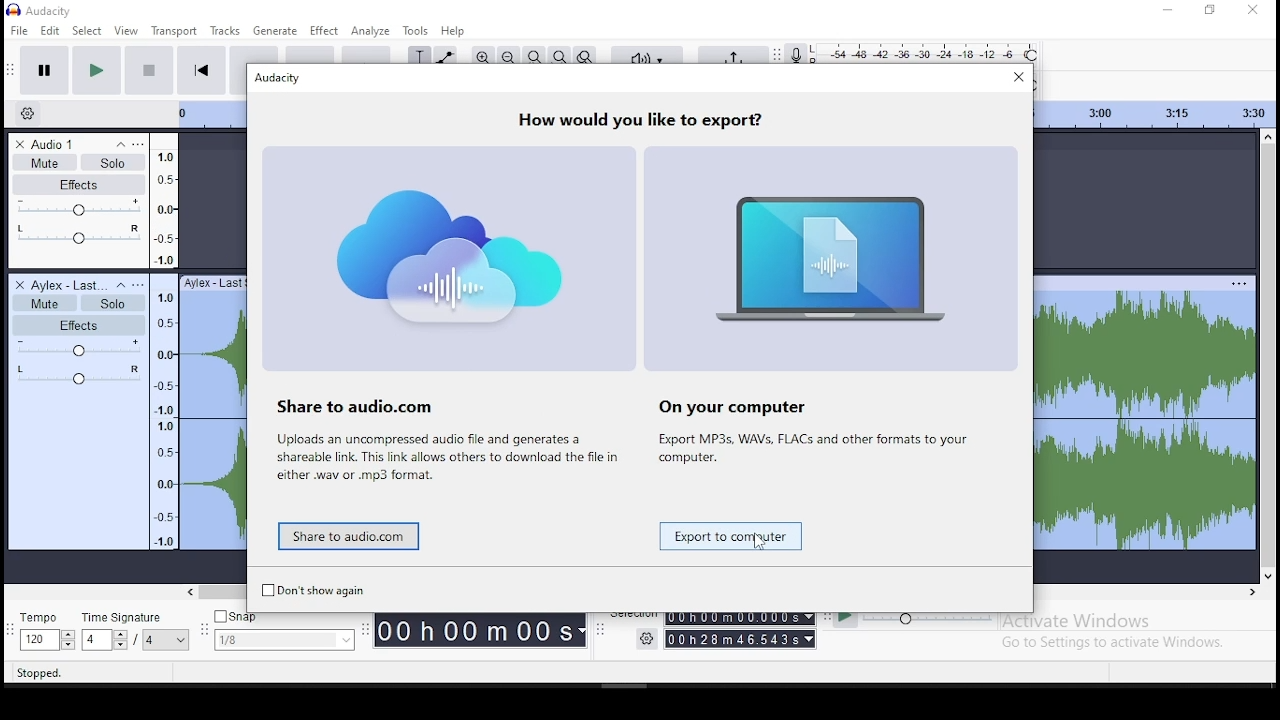  I want to click on play, so click(98, 72).